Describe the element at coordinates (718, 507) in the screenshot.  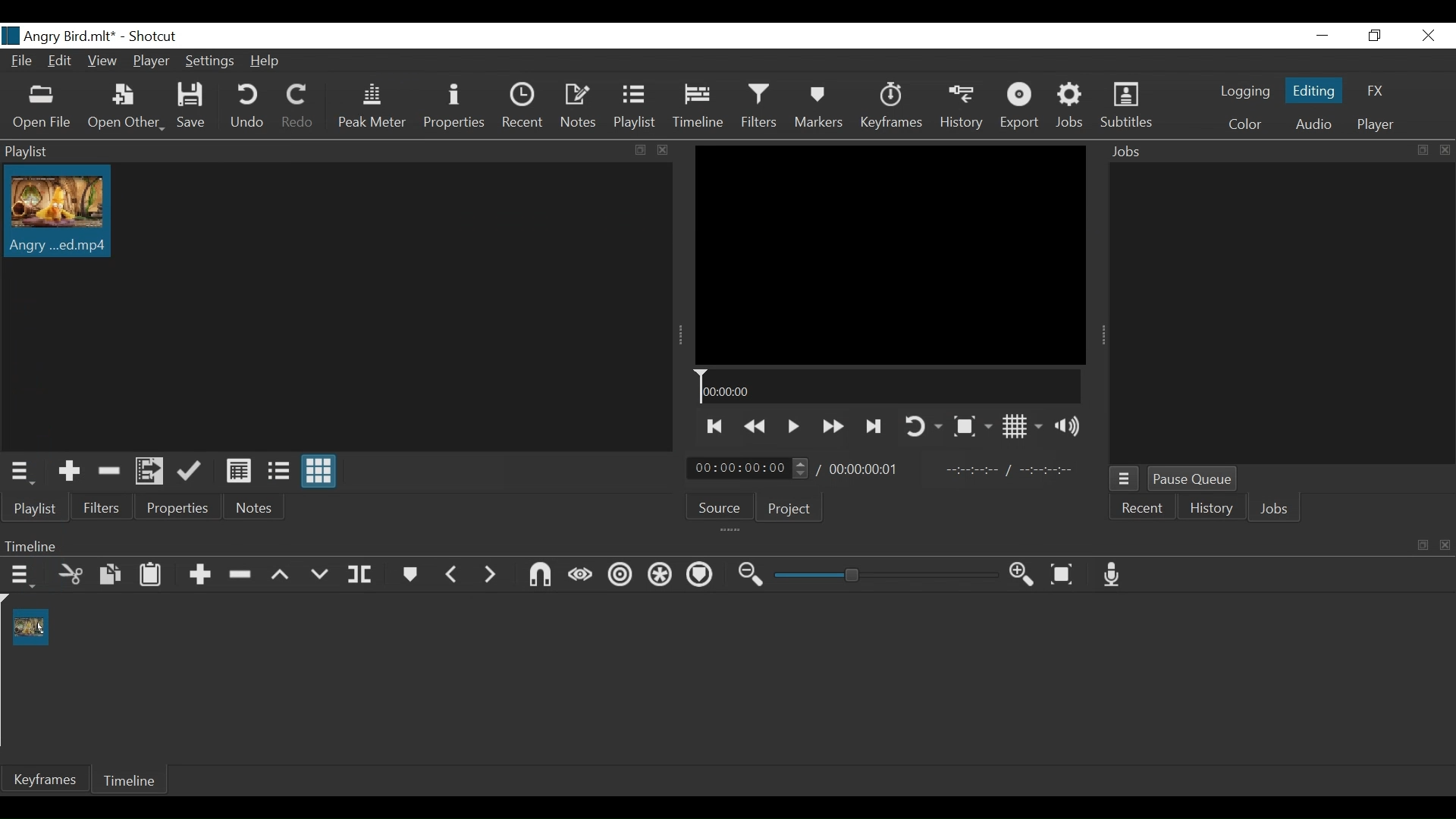
I see `Source` at that location.